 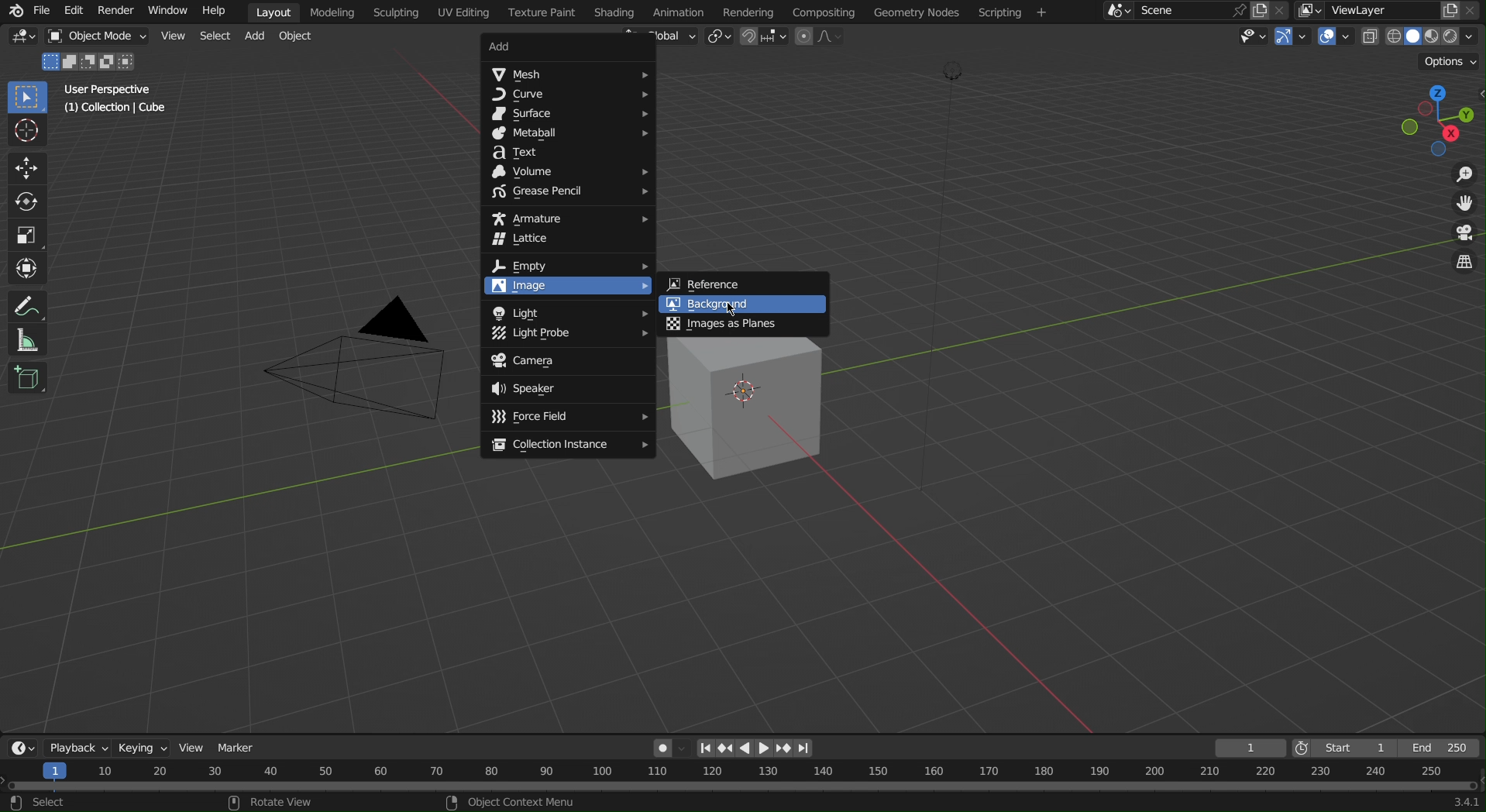 What do you see at coordinates (463, 12) in the screenshot?
I see `UV Editing` at bounding box center [463, 12].